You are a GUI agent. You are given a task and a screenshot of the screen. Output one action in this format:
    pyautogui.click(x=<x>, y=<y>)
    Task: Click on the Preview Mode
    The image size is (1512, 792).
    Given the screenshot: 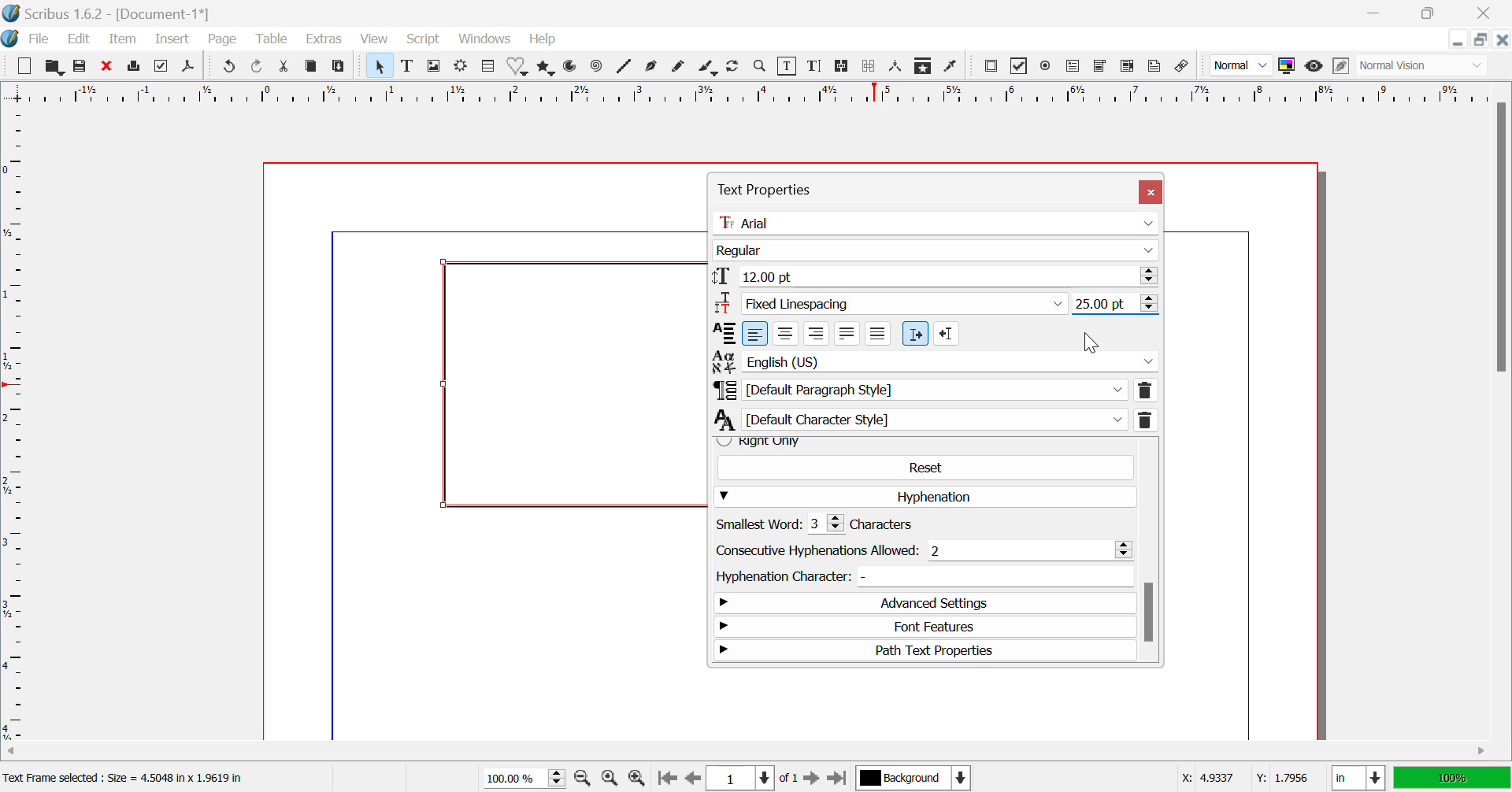 What is the action you would take?
    pyautogui.click(x=1314, y=68)
    